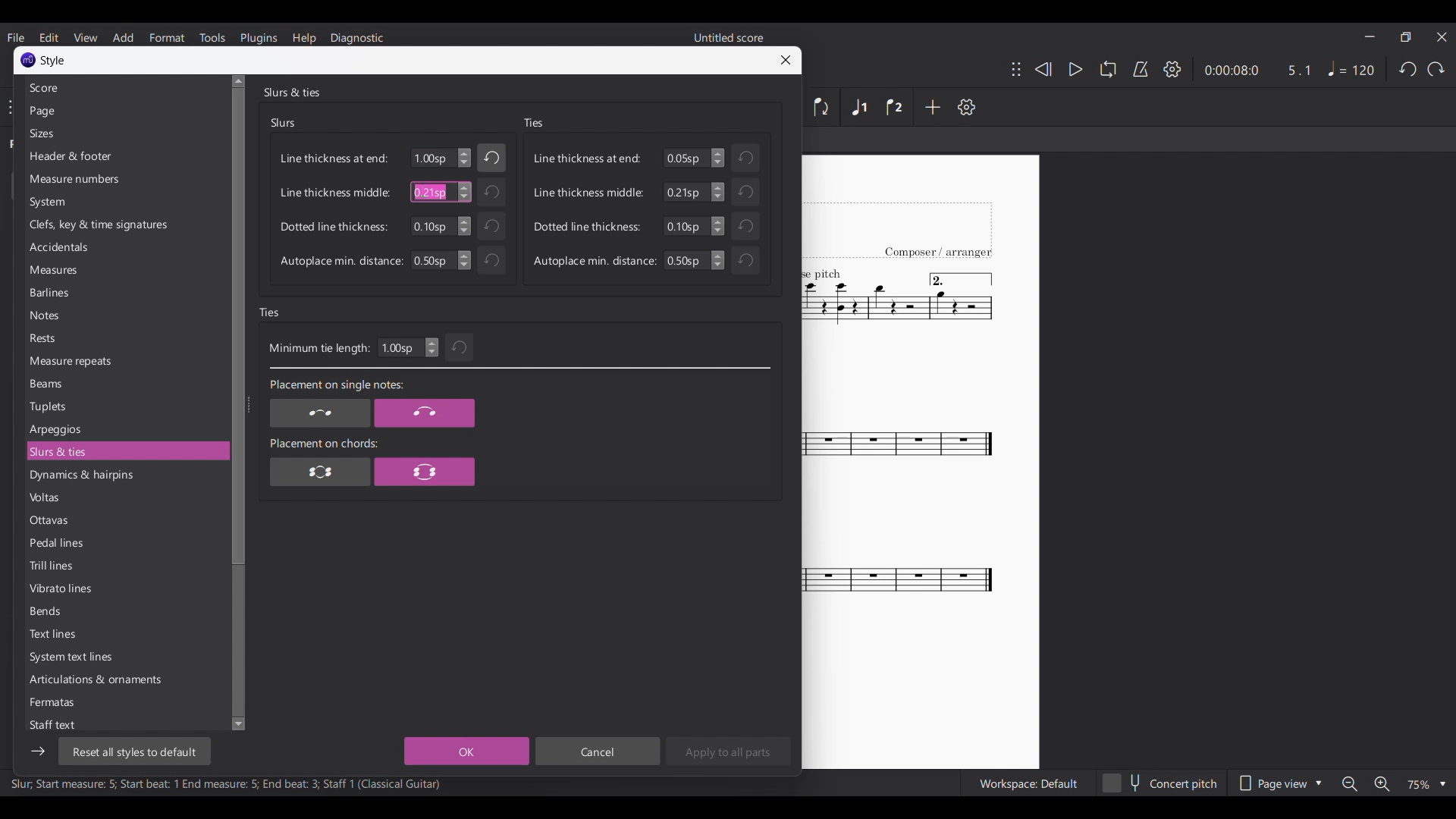 This screenshot has width=1456, height=819. I want to click on Beams, so click(126, 384).